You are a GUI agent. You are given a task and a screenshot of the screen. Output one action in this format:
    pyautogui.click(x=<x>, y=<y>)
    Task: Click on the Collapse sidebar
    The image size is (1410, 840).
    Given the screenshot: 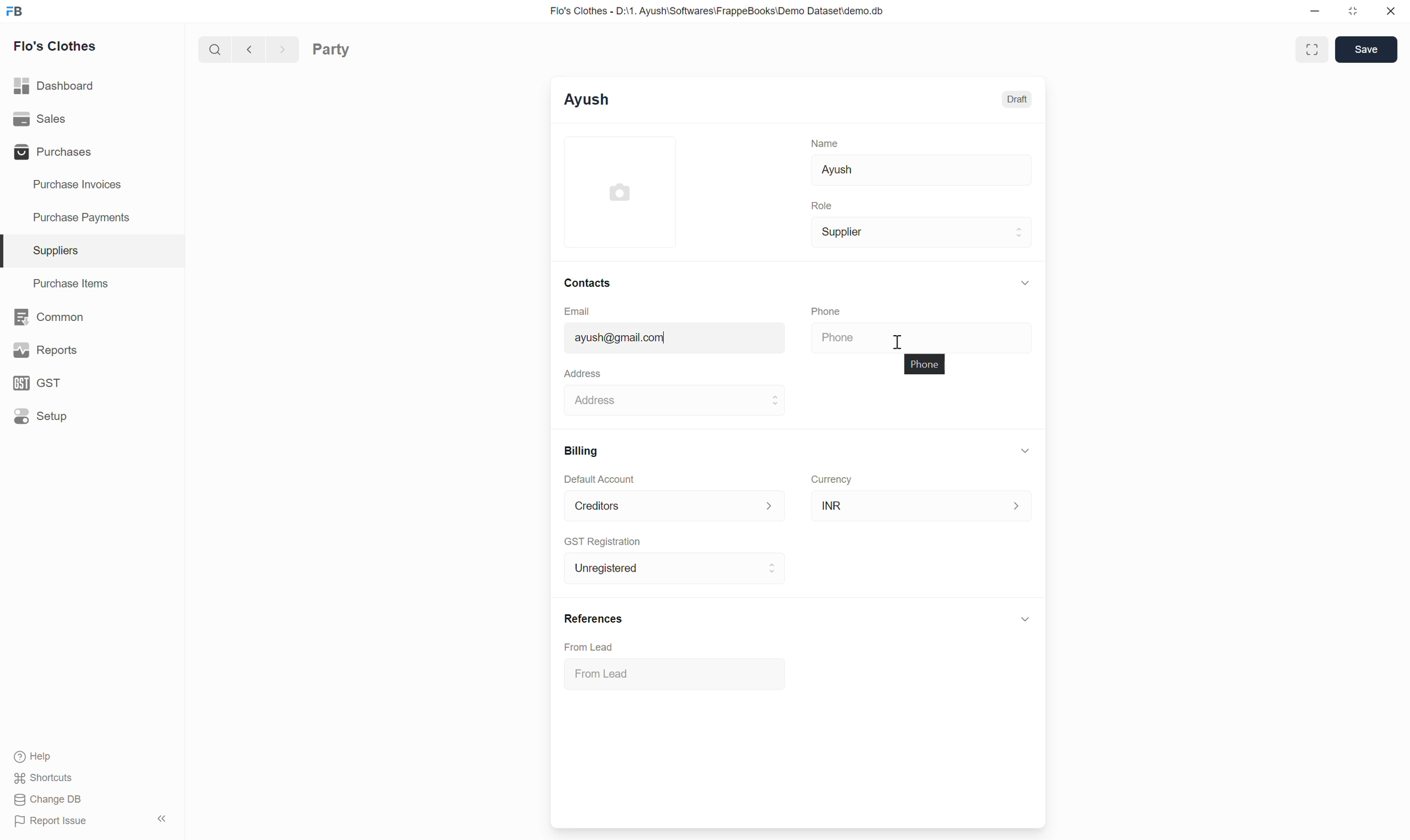 What is the action you would take?
    pyautogui.click(x=162, y=818)
    